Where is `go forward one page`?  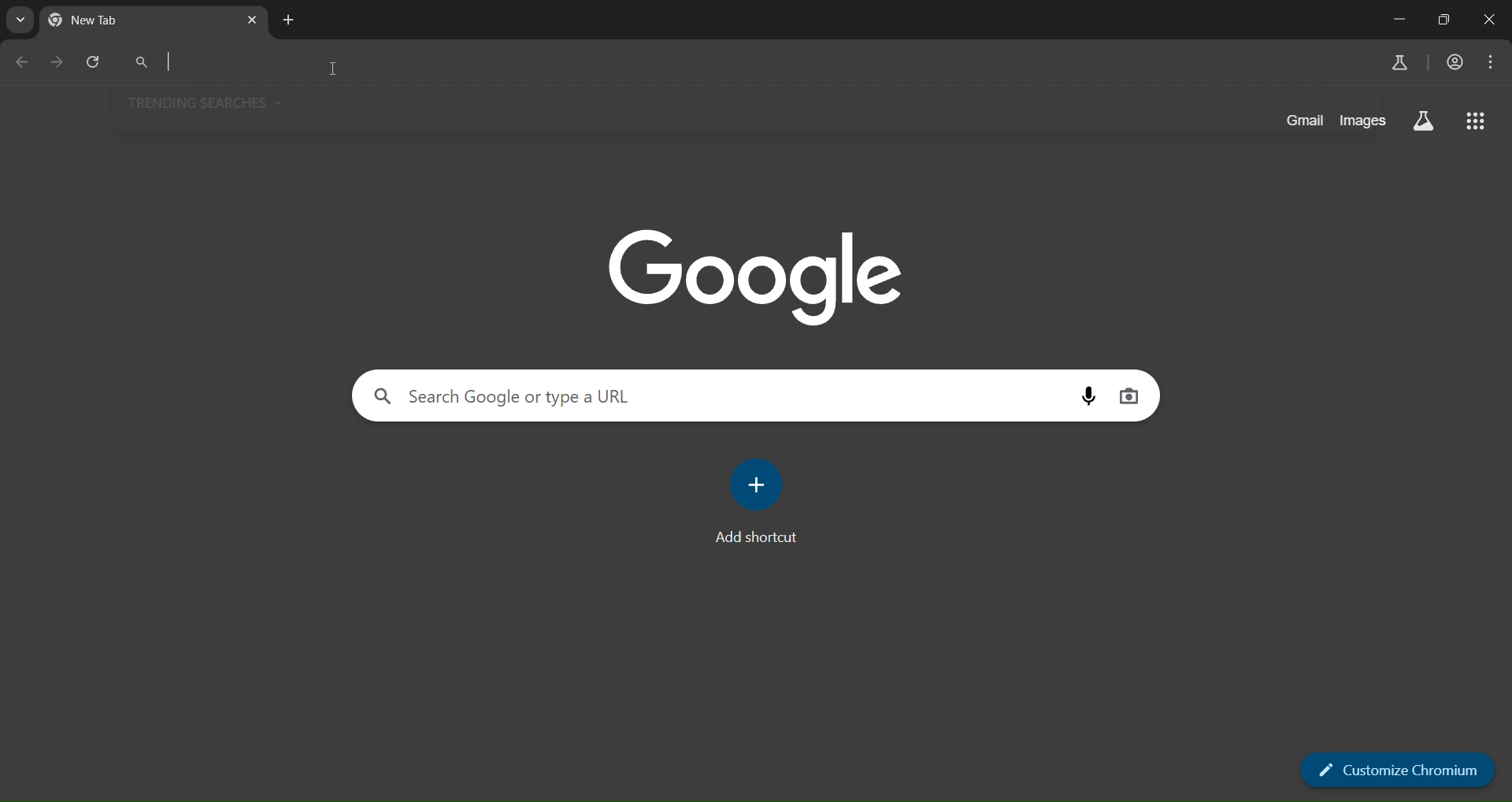
go forward one page is located at coordinates (60, 65).